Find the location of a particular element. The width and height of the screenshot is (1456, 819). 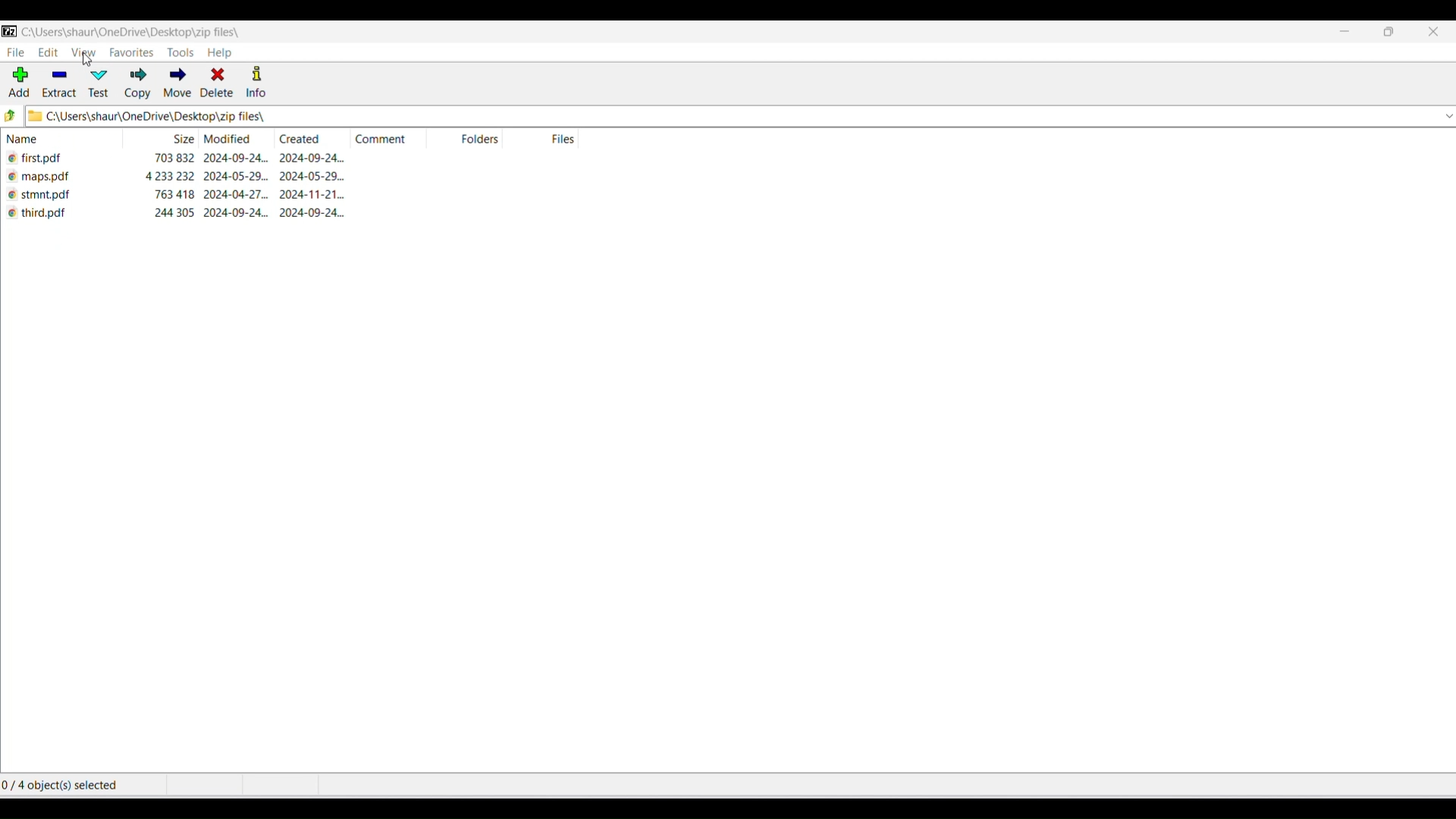

size is located at coordinates (180, 140).